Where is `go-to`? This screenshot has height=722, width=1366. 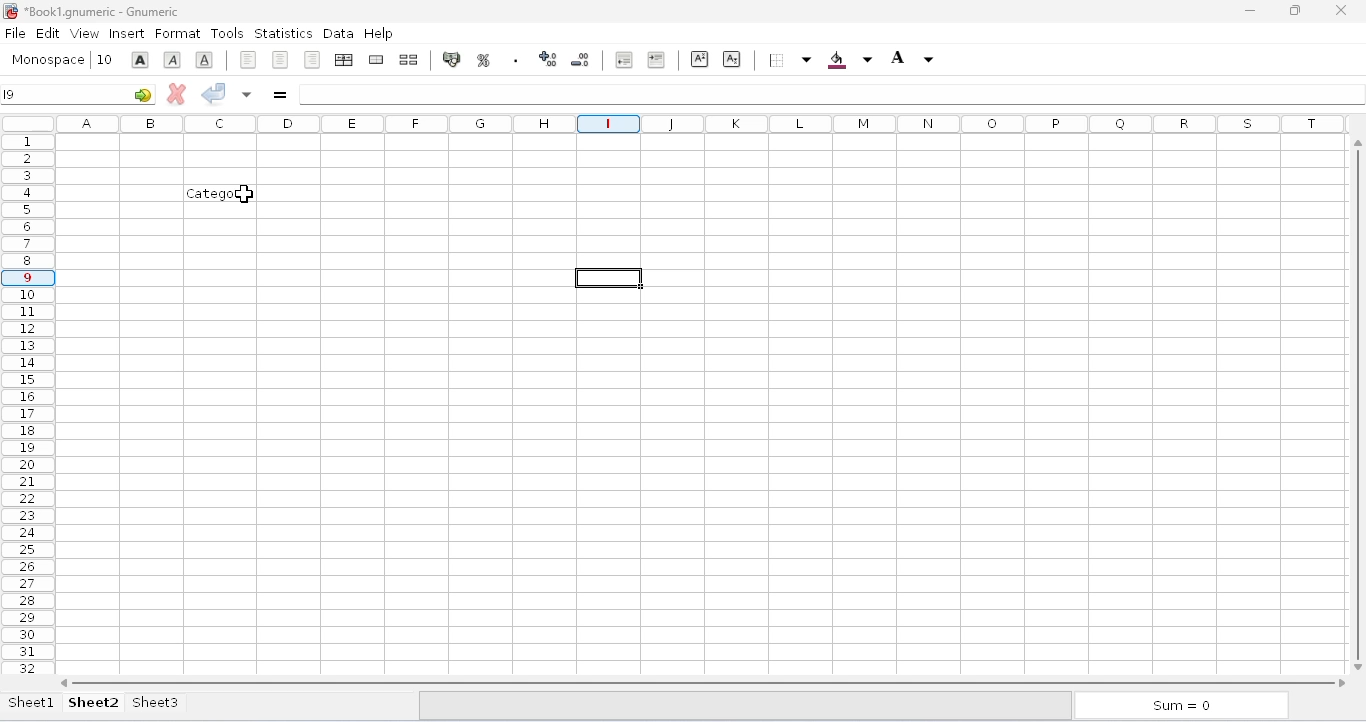
go-to is located at coordinates (143, 94).